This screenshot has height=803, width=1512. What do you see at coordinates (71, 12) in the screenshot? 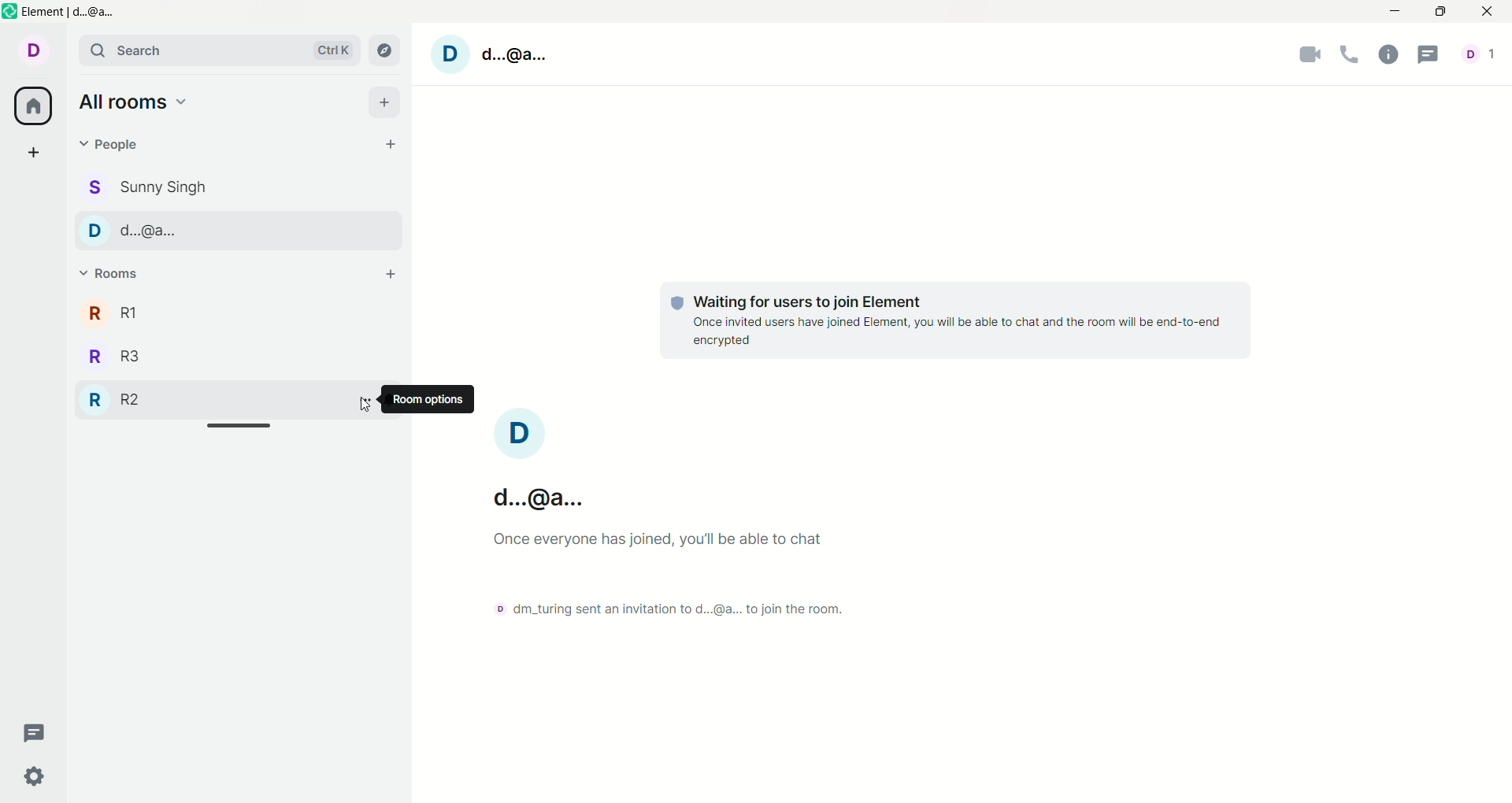
I see `Element | d...@a...` at bounding box center [71, 12].